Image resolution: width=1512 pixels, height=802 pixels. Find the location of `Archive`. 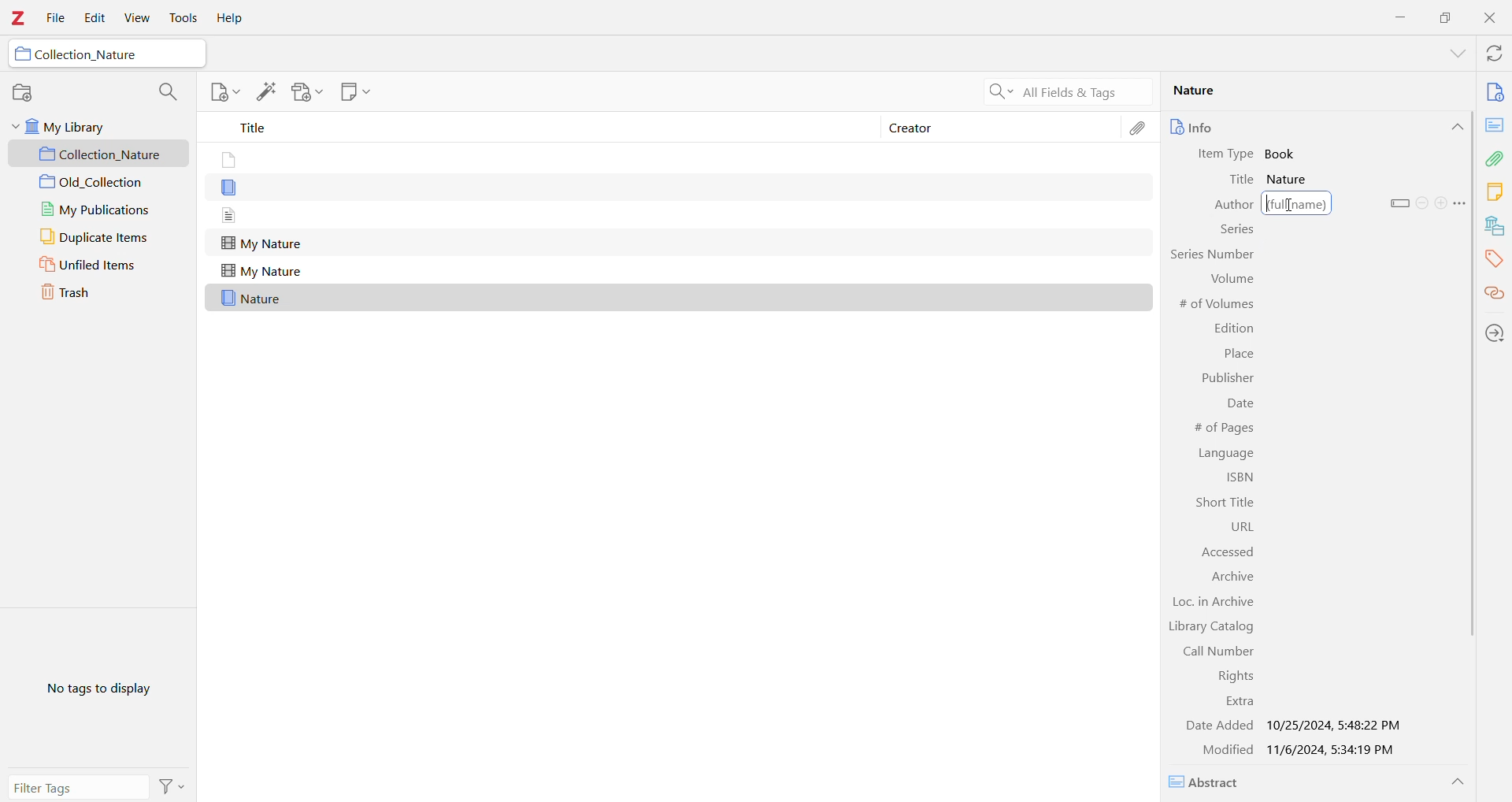

Archive is located at coordinates (1233, 577).